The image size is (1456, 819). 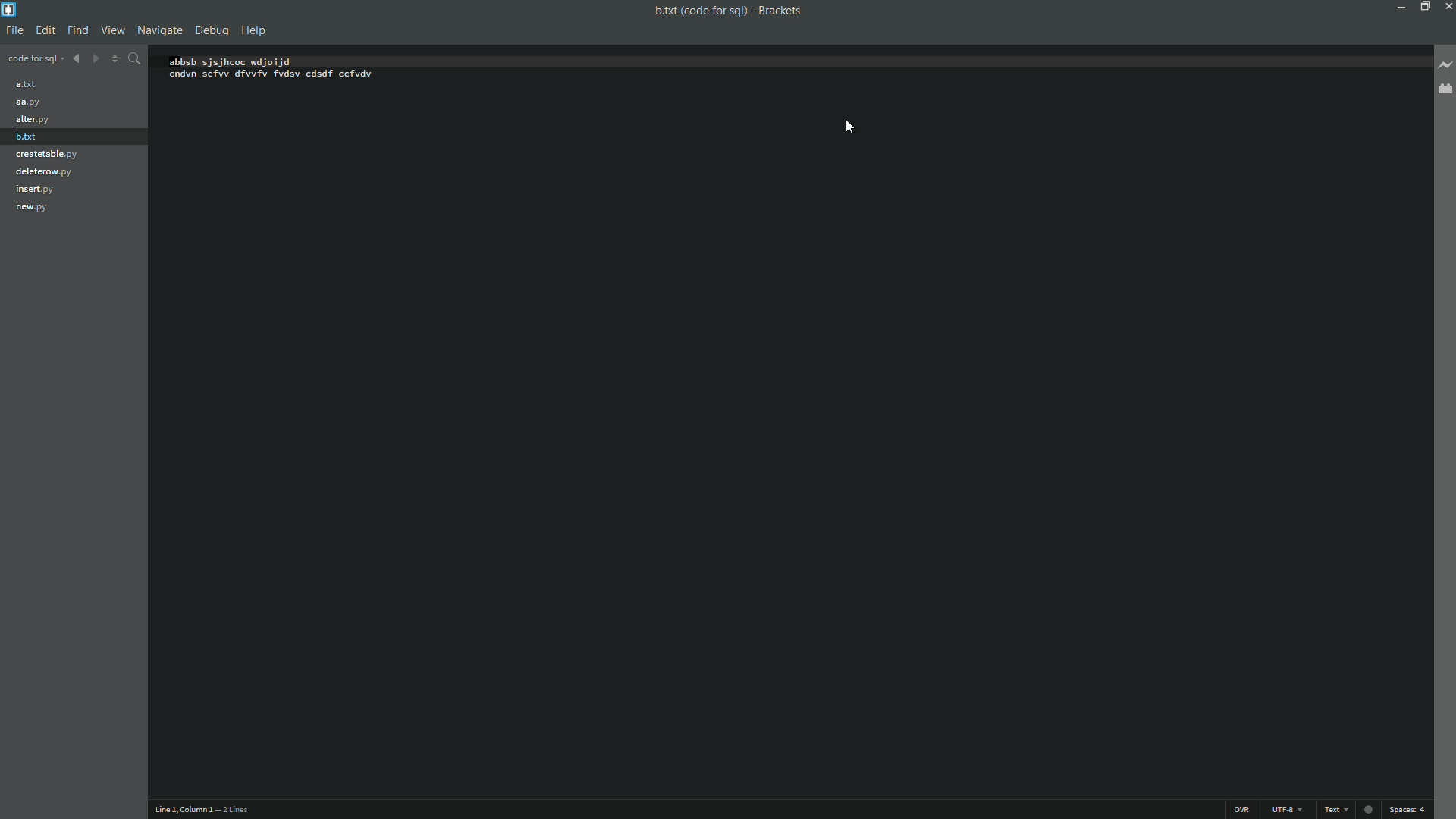 I want to click on aa.py, so click(x=30, y=102).